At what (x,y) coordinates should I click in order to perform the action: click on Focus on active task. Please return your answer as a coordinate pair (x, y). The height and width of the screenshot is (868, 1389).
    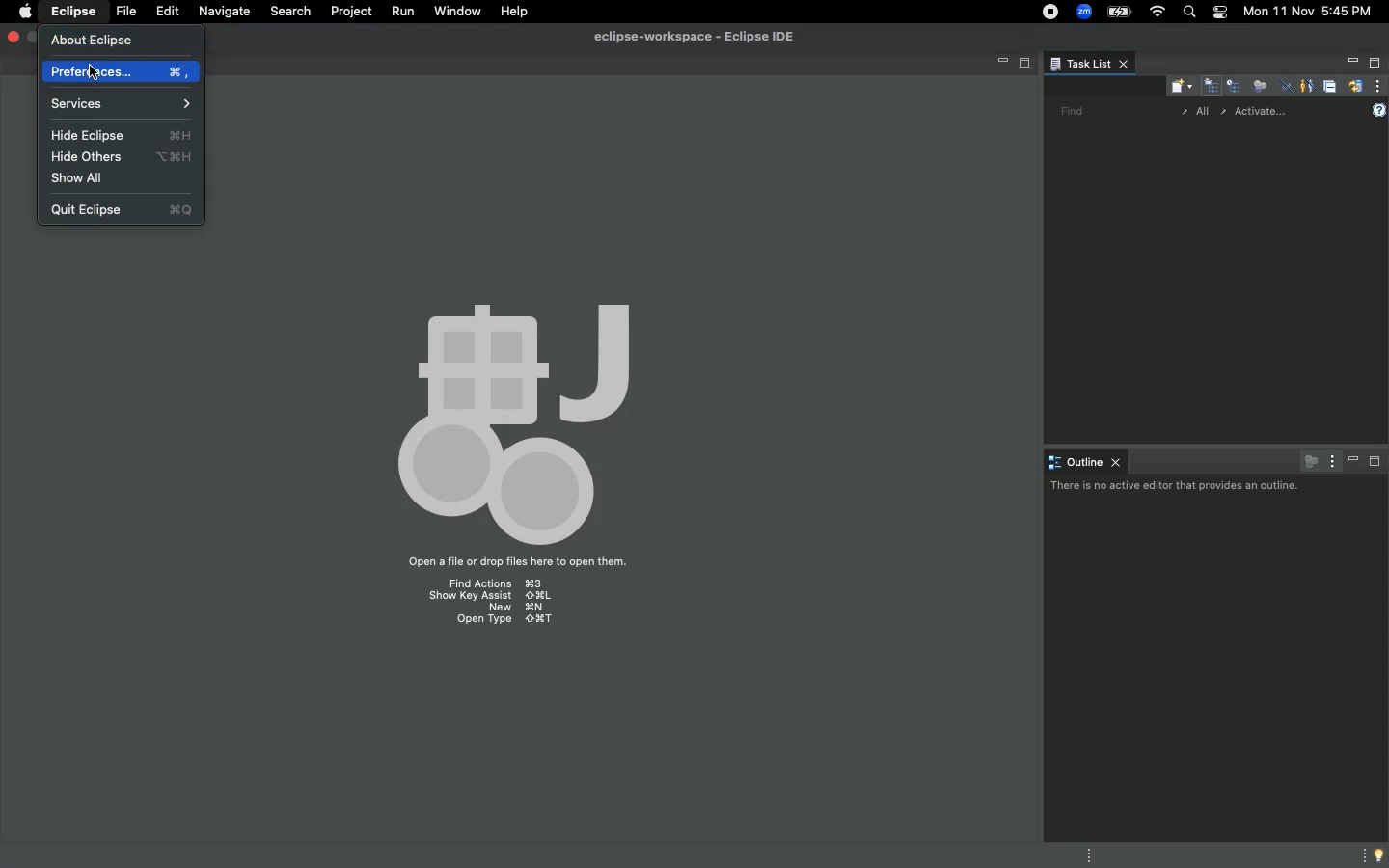
    Looking at the image, I should click on (1308, 460).